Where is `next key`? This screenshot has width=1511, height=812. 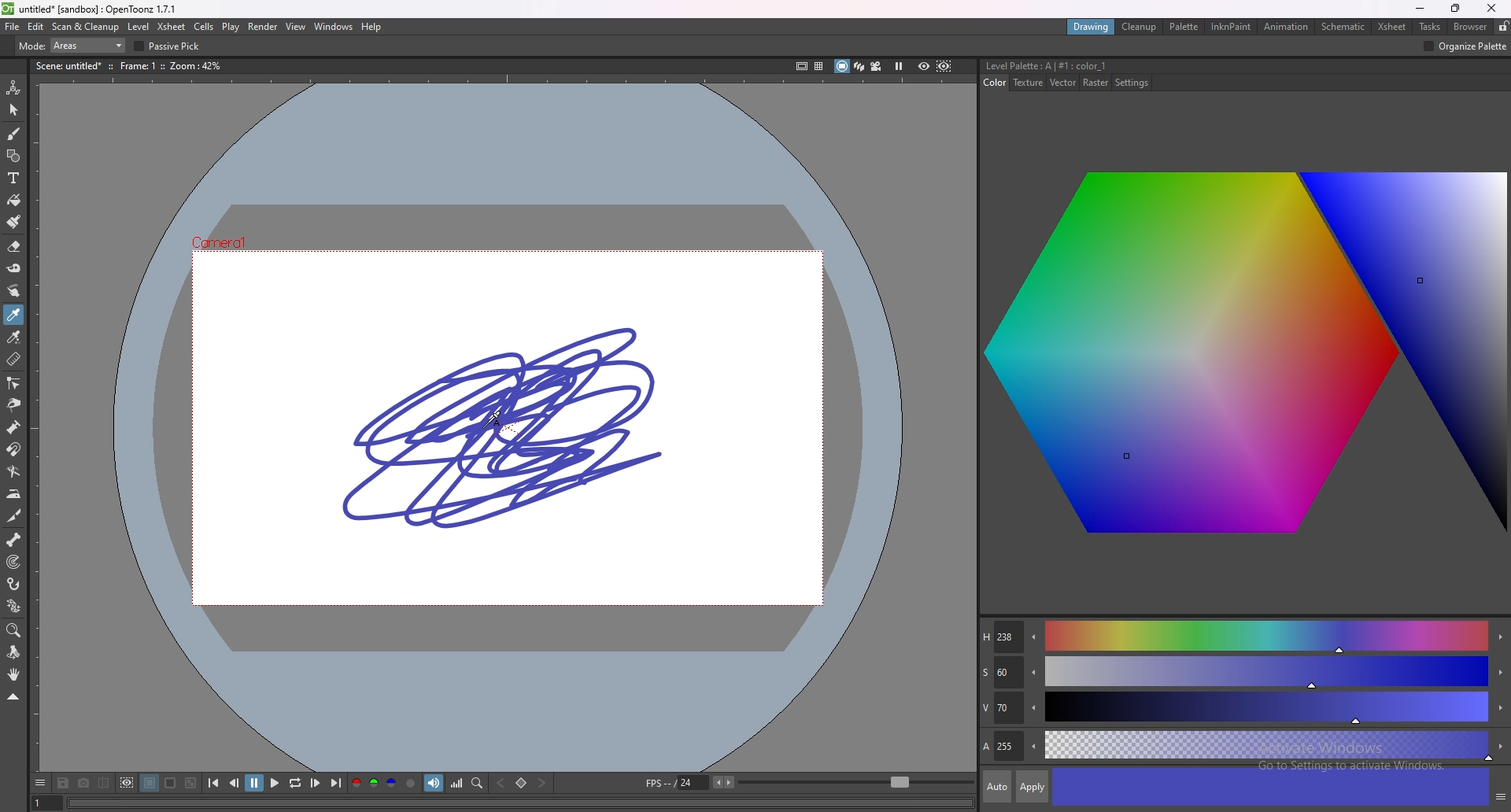 next key is located at coordinates (542, 783).